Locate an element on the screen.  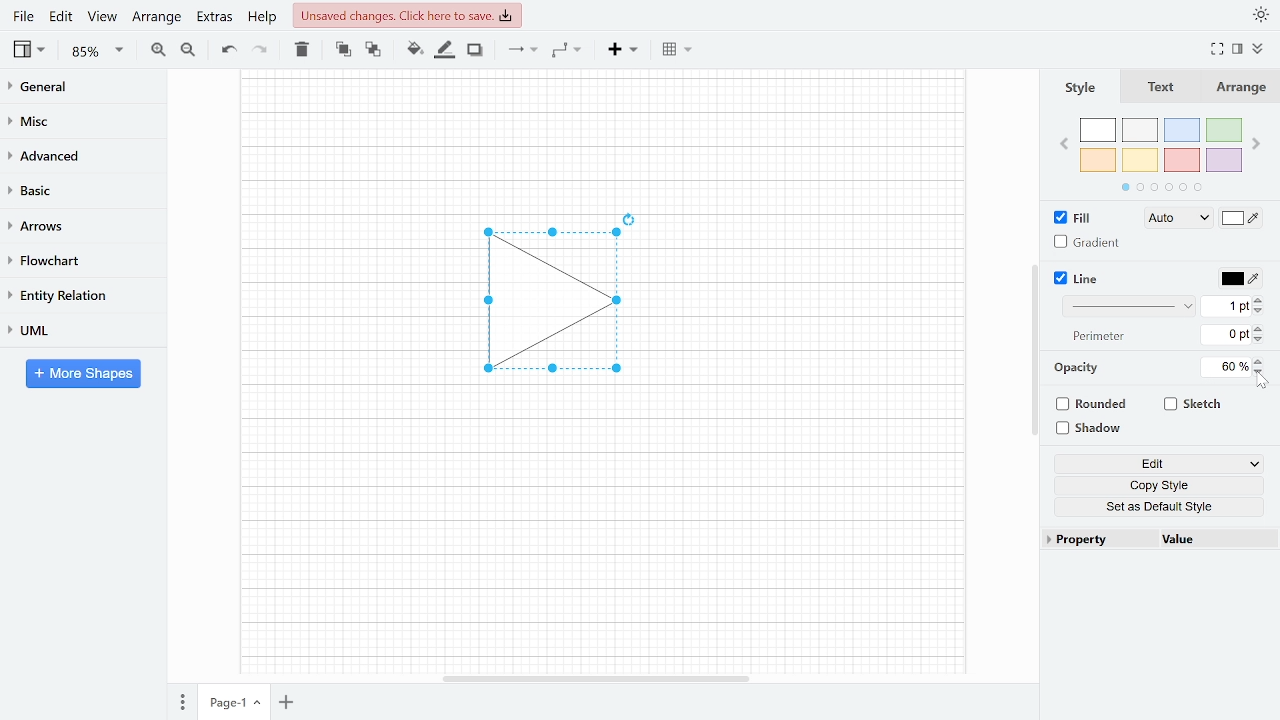
Fill color is located at coordinates (1242, 220).